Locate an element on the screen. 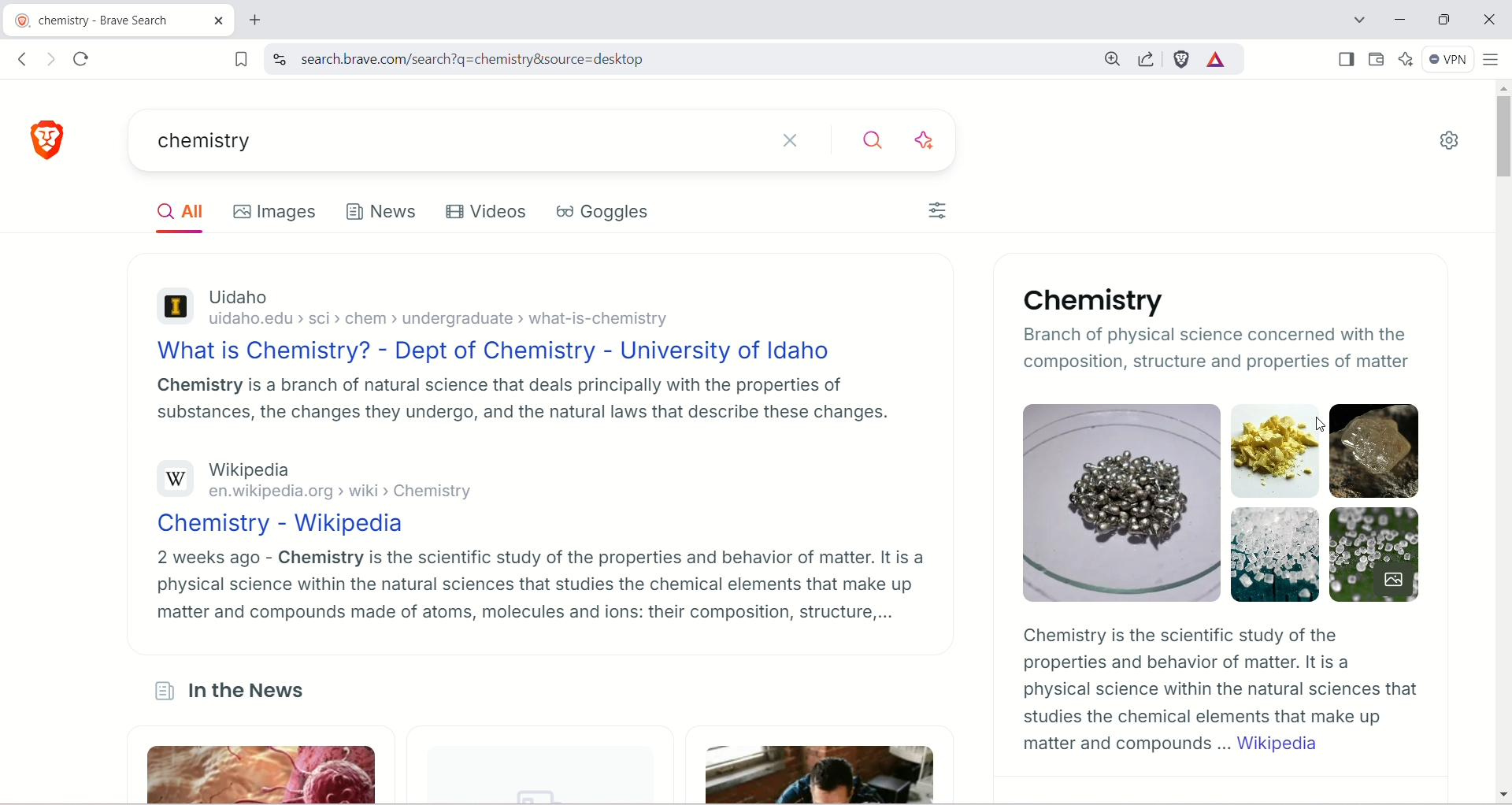 The width and height of the screenshot is (1512, 805). close is located at coordinates (219, 20).